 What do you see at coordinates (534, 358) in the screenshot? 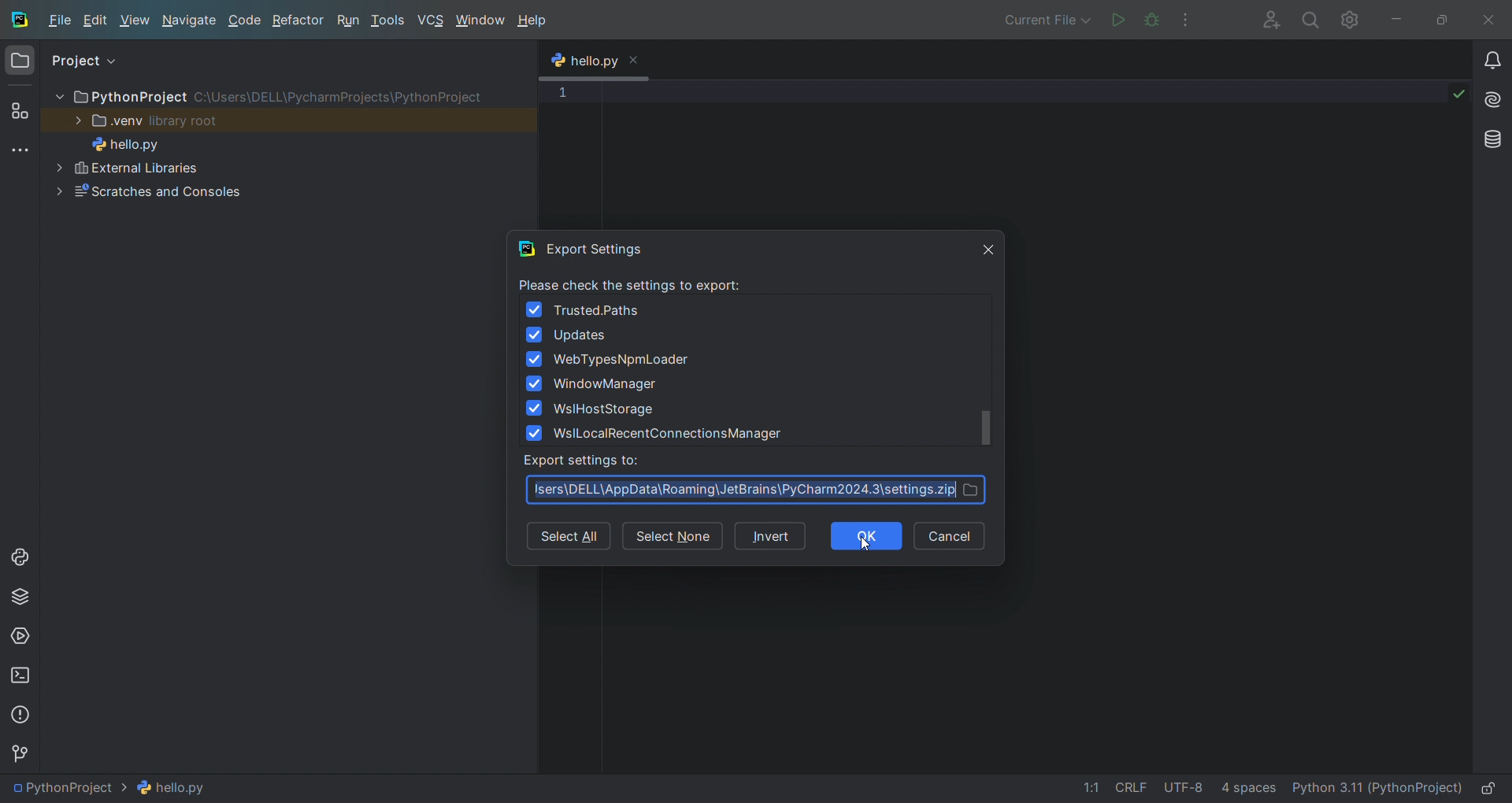
I see `Checked box` at bounding box center [534, 358].